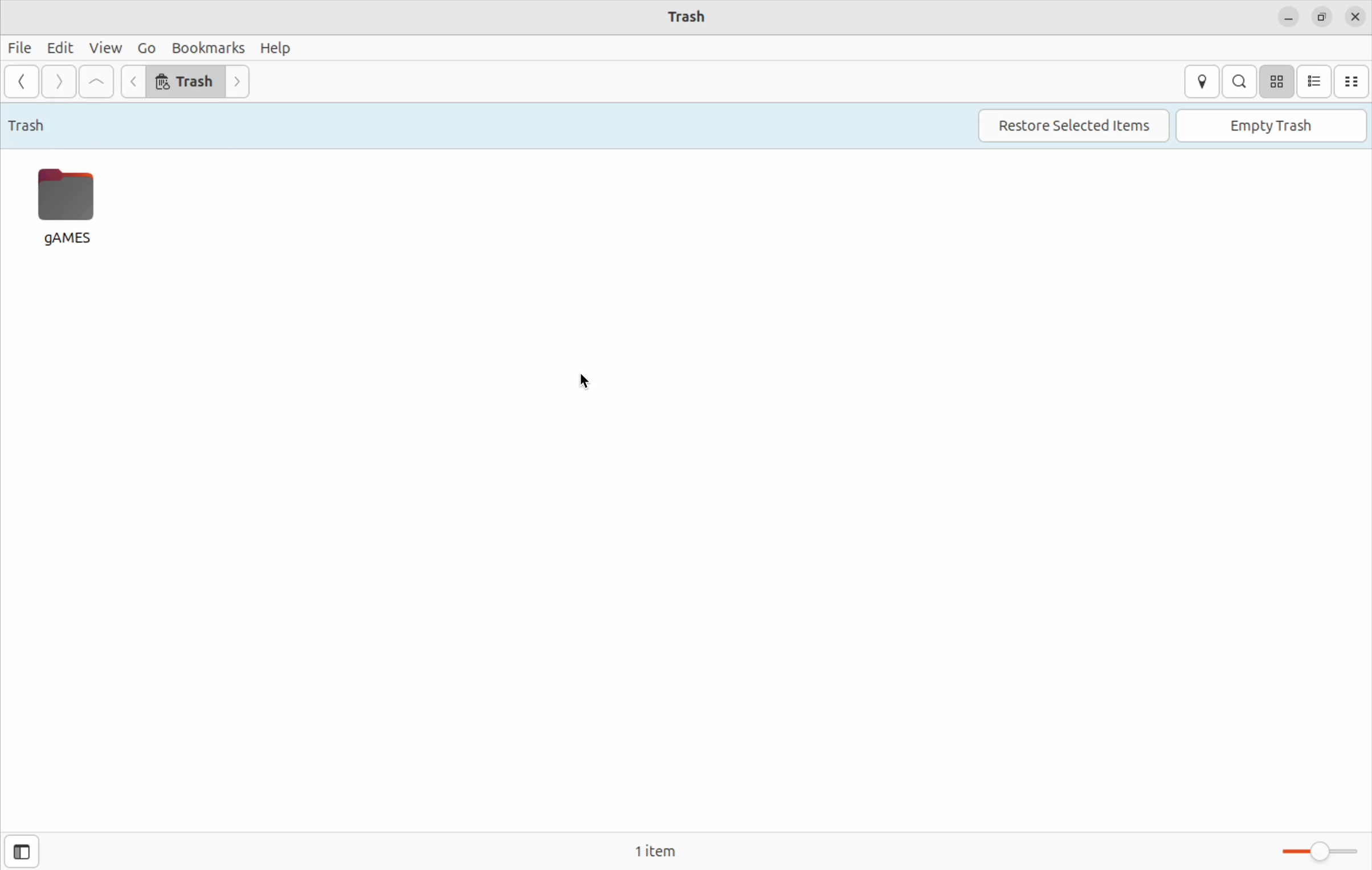 Image resolution: width=1372 pixels, height=870 pixels. What do you see at coordinates (1201, 81) in the screenshot?
I see `location entry` at bounding box center [1201, 81].